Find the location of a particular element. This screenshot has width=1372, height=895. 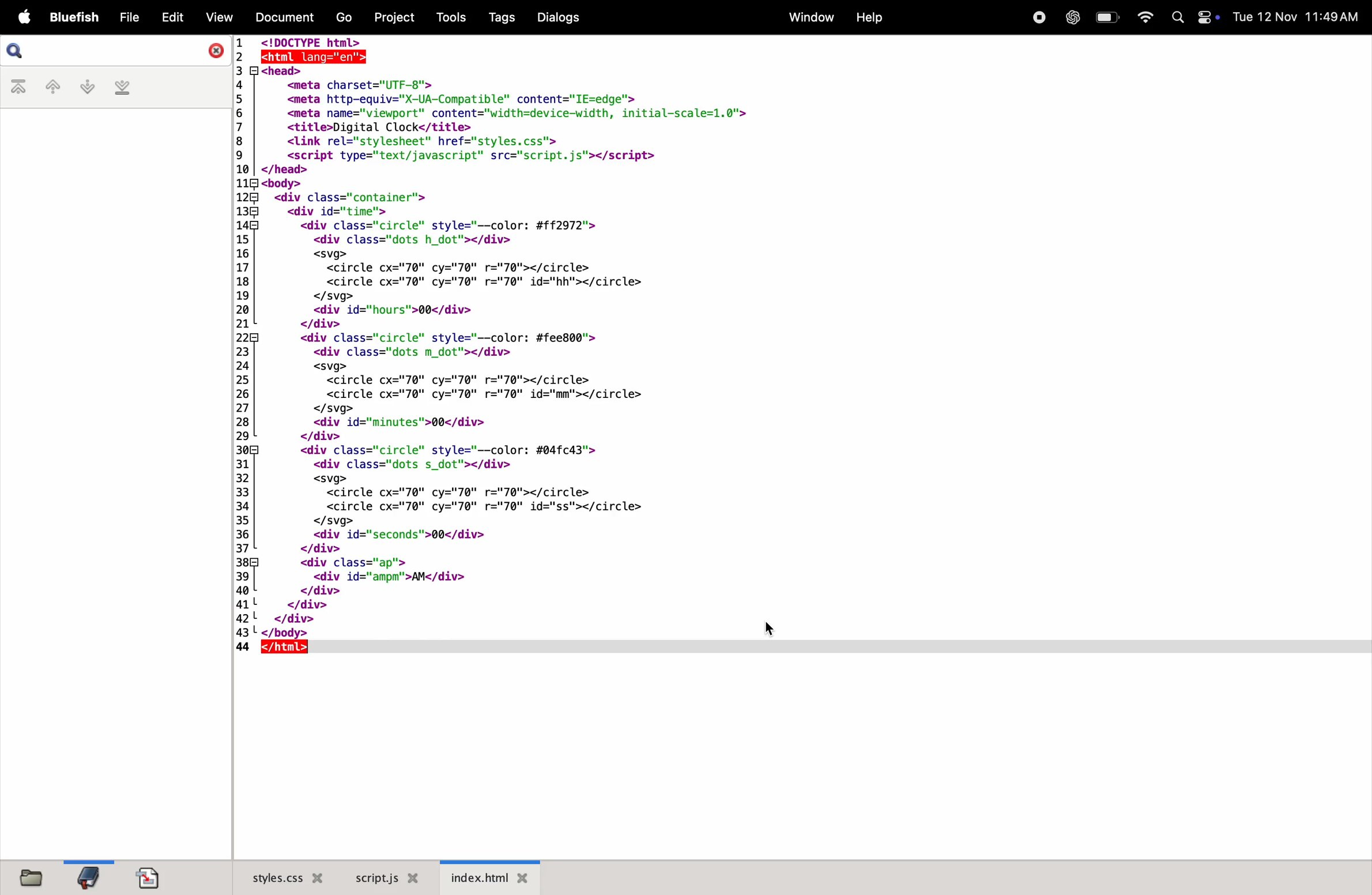

import doc is located at coordinates (148, 877).